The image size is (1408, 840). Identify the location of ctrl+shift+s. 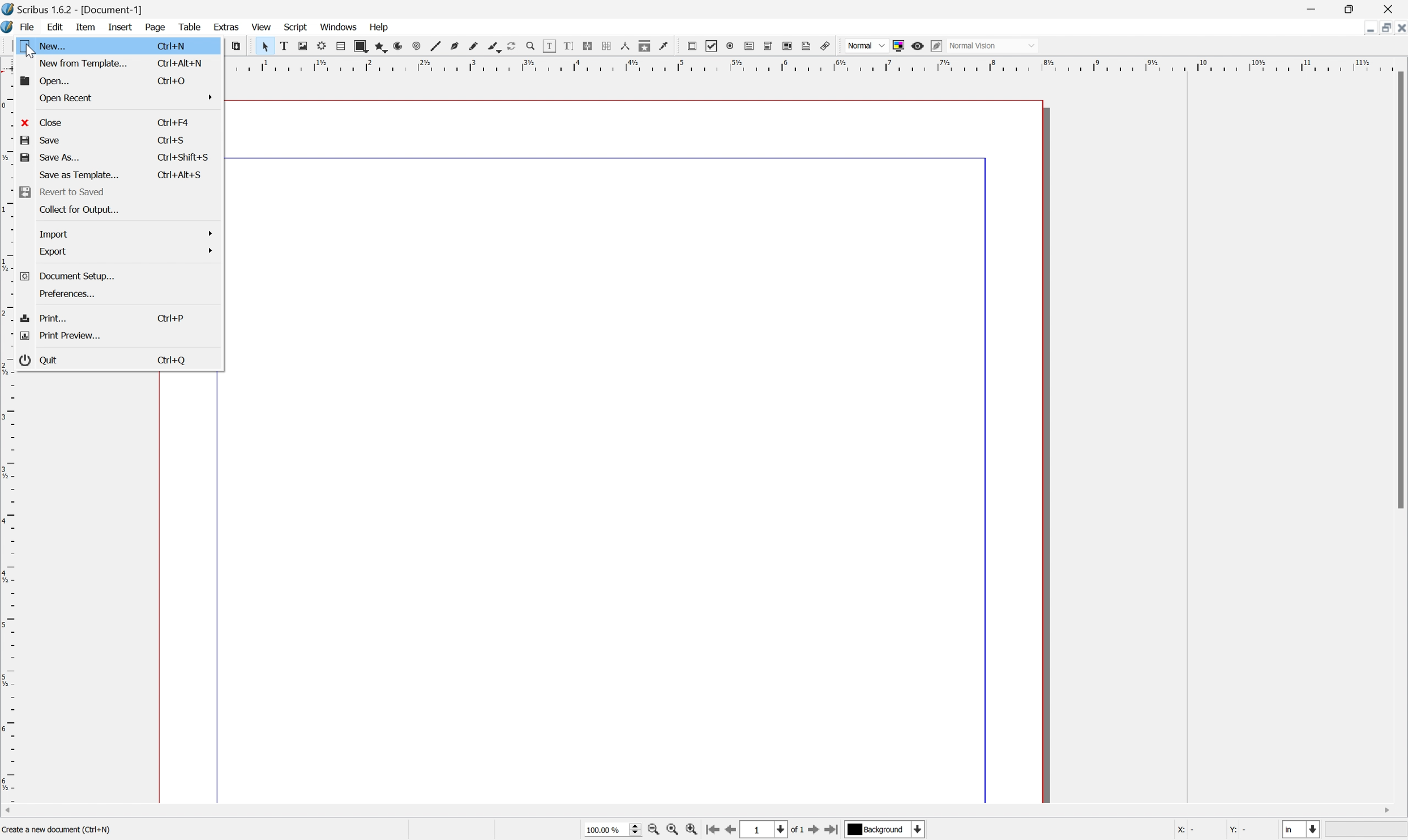
(178, 174).